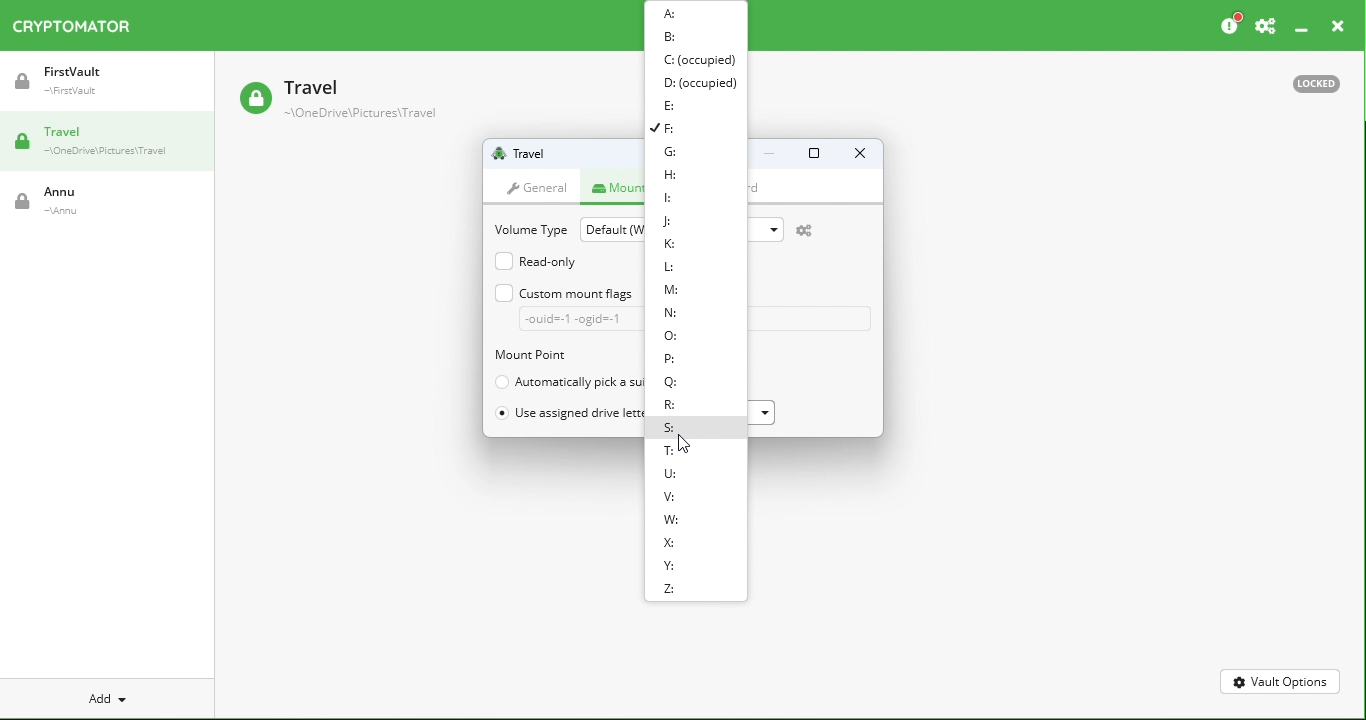 The width and height of the screenshot is (1366, 720). What do you see at coordinates (1265, 23) in the screenshot?
I see `Preferences` at bounding box center [1265, 23].